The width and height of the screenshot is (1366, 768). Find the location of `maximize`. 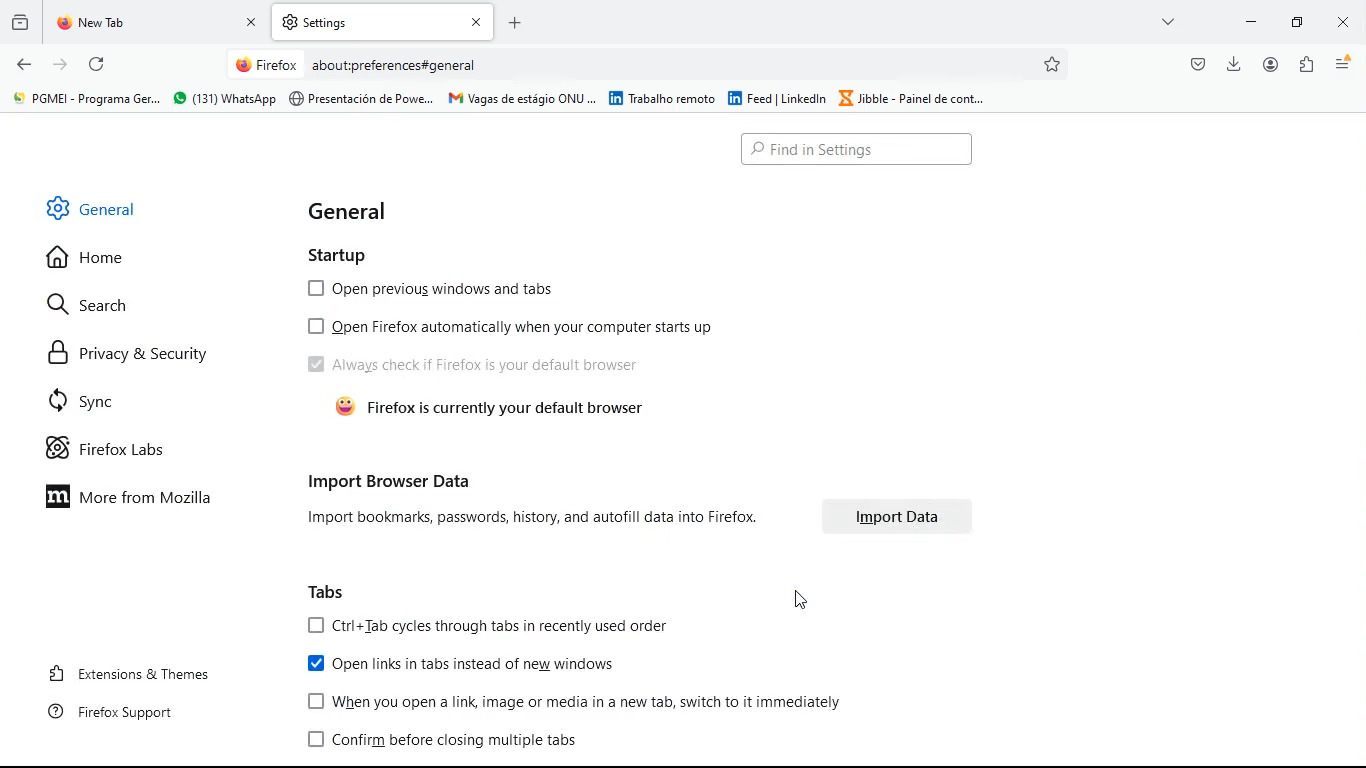

maximize is located at coordinates (1298, 24).